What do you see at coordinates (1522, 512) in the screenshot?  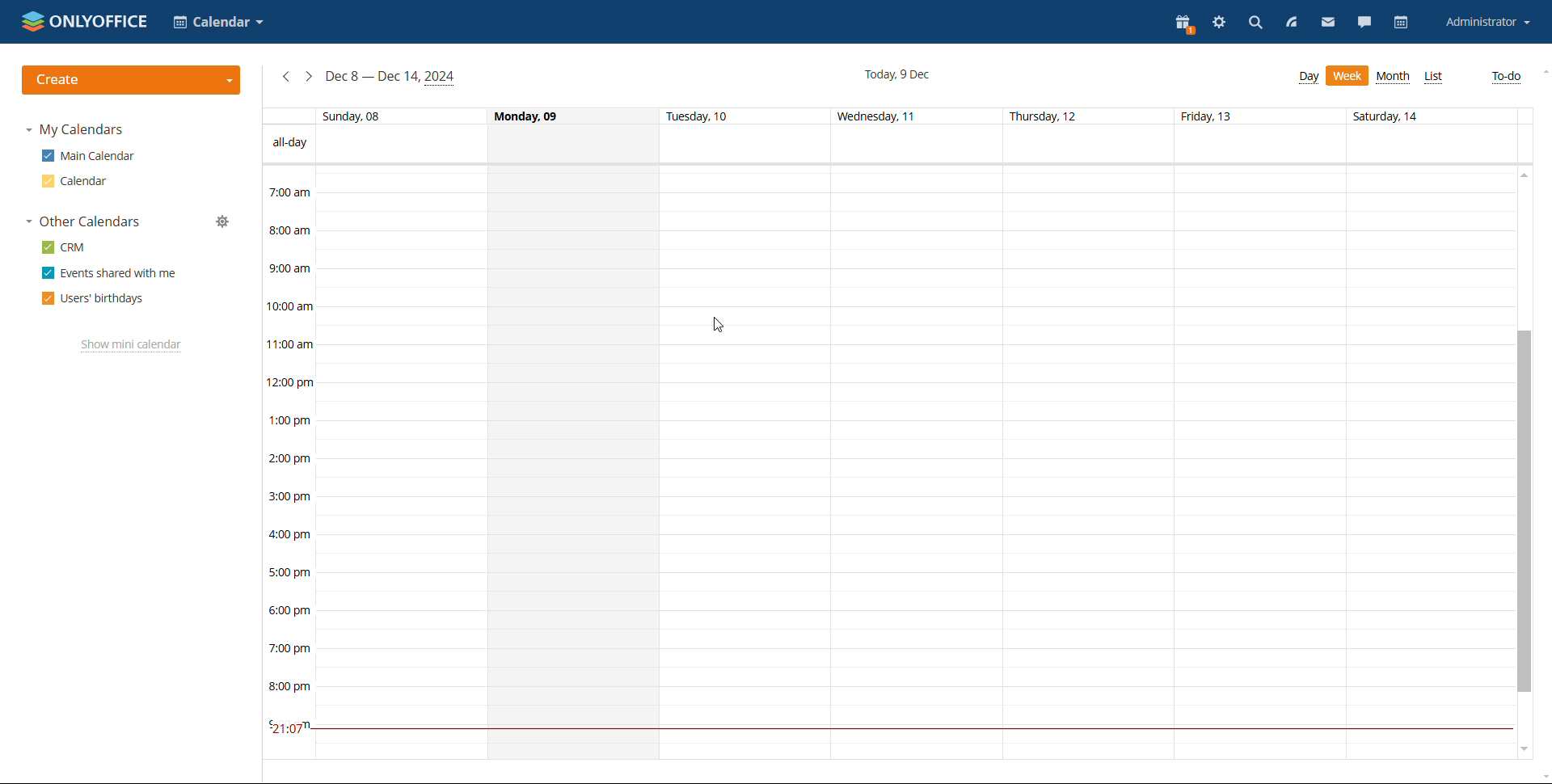 I see `scrollbar` at bounding box center [1522, 512].